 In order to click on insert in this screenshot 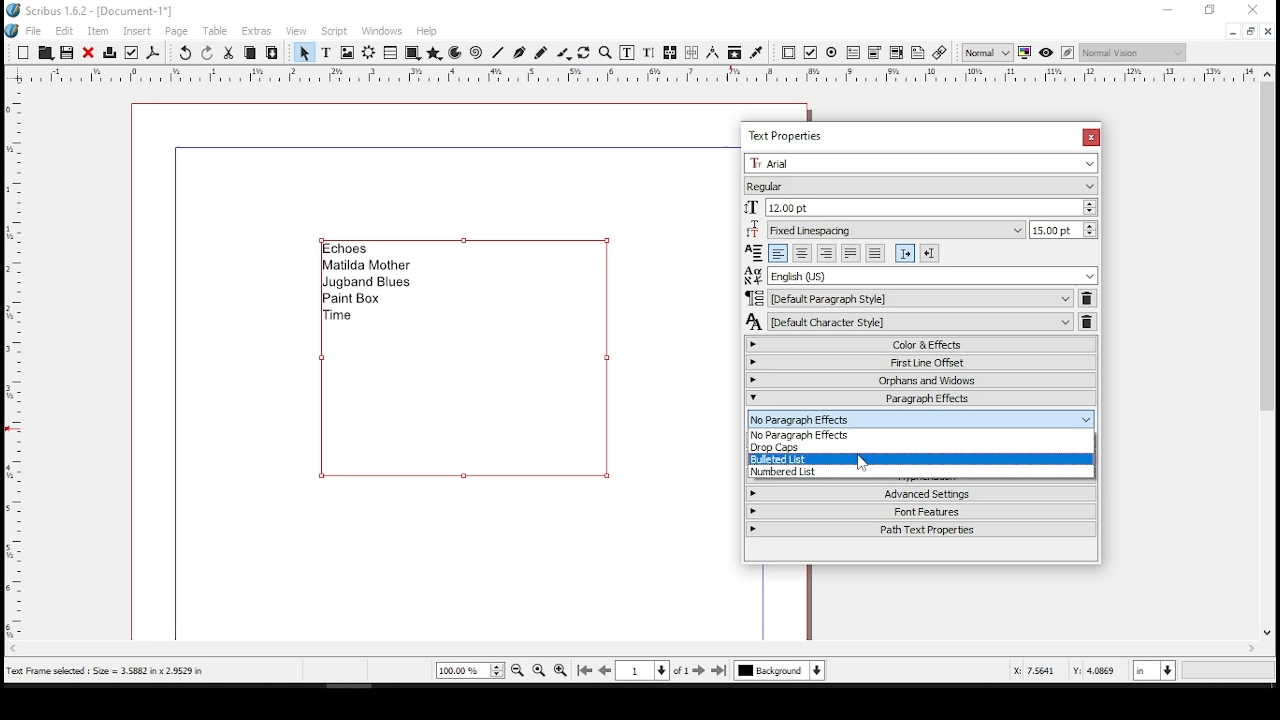, I will do `click(138, 30)`.